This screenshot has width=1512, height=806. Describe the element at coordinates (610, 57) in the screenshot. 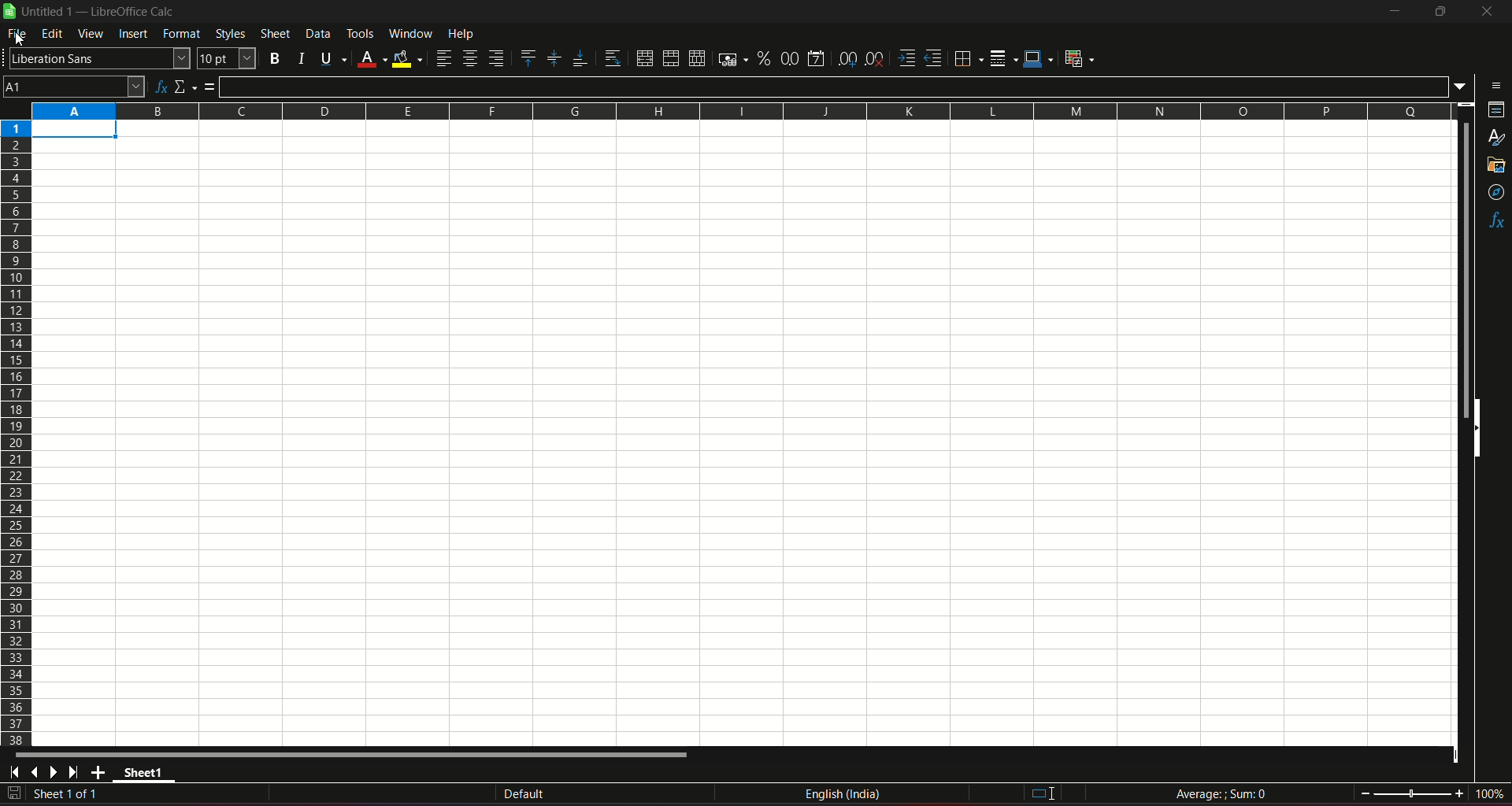

I see `wrap text` at that location.